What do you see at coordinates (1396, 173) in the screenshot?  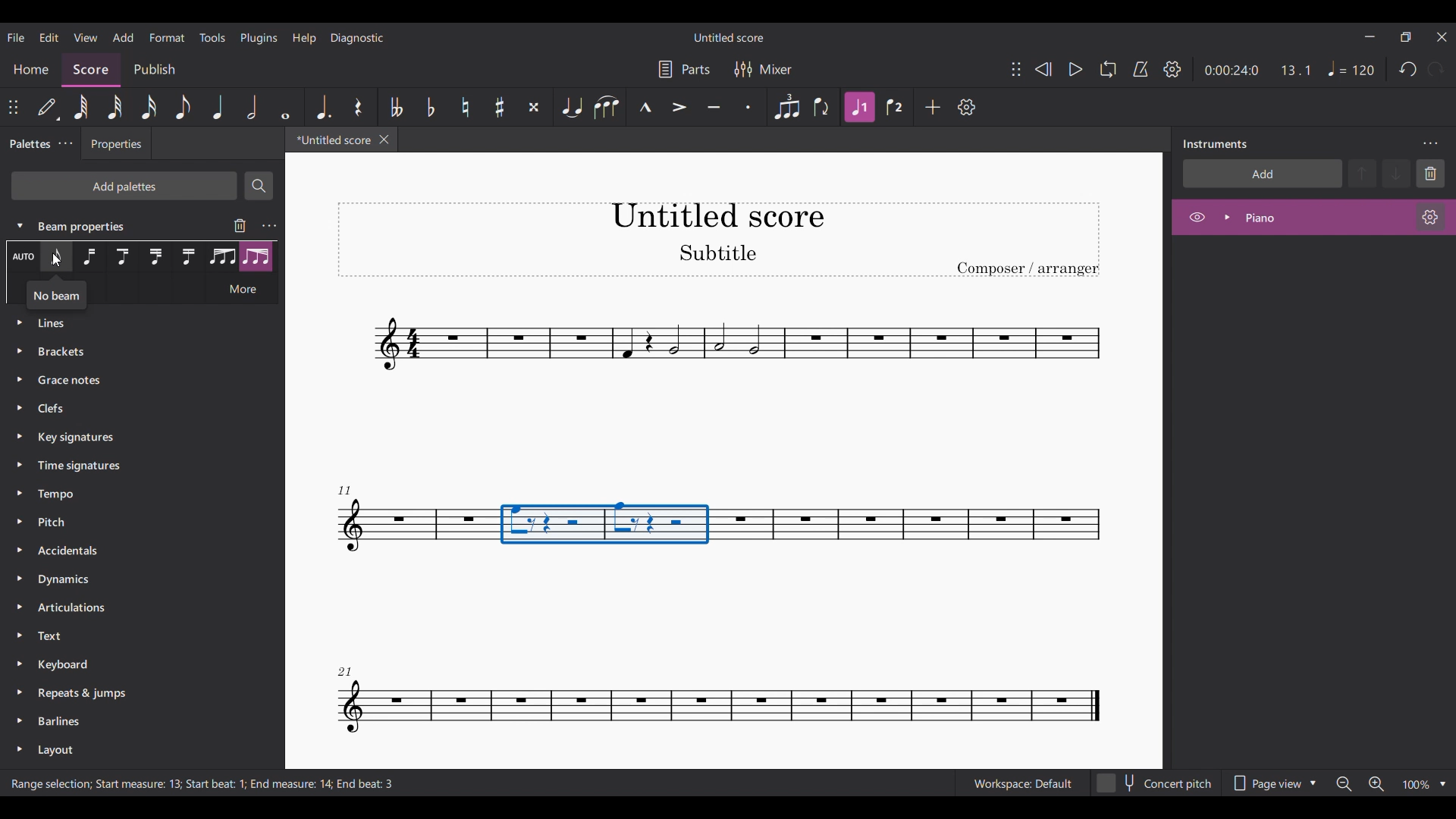 I see `Move selected instrument down` at bounding box center [1396, 173].